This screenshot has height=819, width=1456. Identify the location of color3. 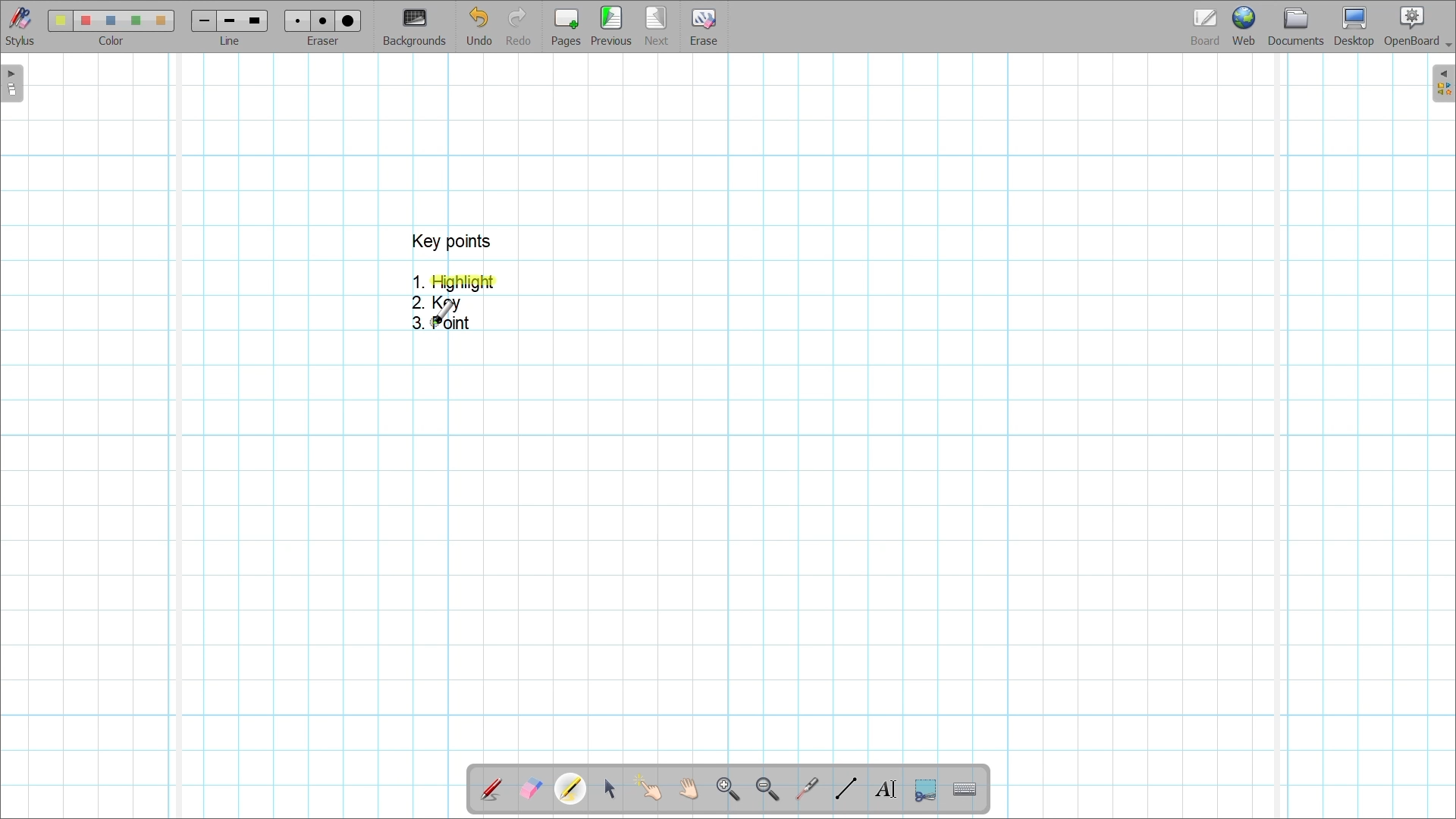
(111, 21).